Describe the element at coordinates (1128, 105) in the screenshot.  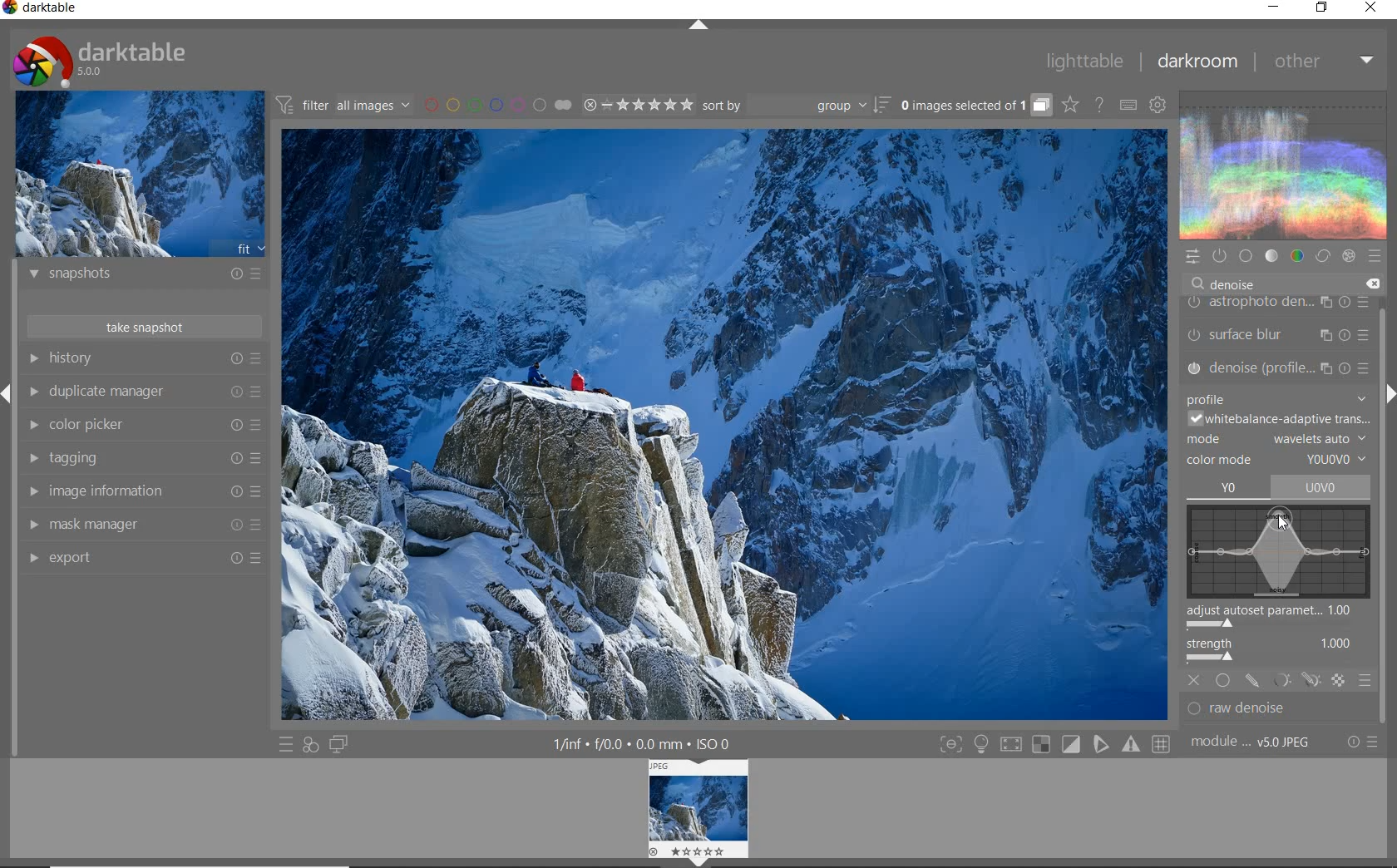
I see `set keyboard shortcuts` at that location.